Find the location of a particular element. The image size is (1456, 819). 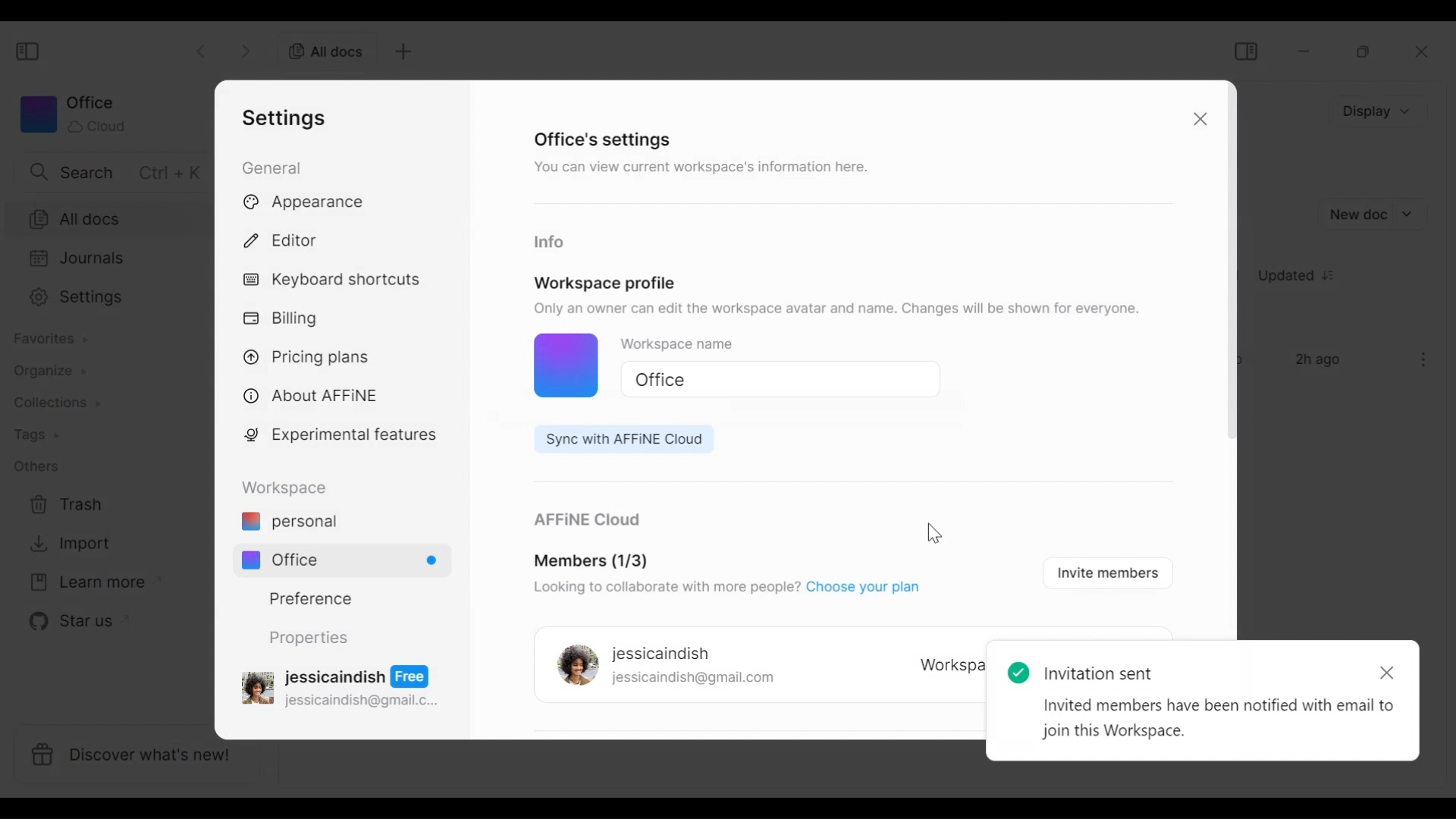

Discover what's new is located at coordinates (143, 758).